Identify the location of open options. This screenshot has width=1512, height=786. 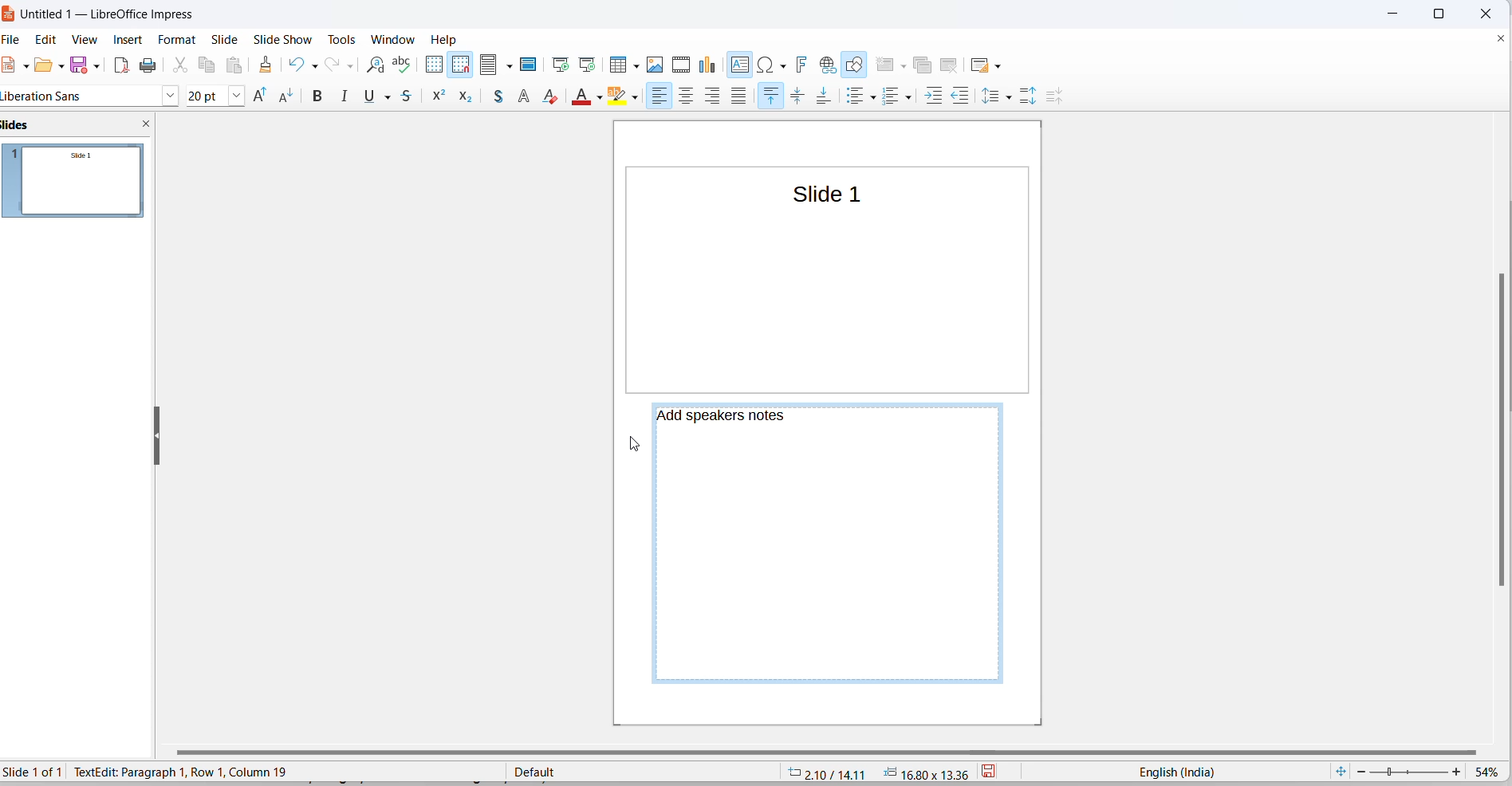
(58, 65).